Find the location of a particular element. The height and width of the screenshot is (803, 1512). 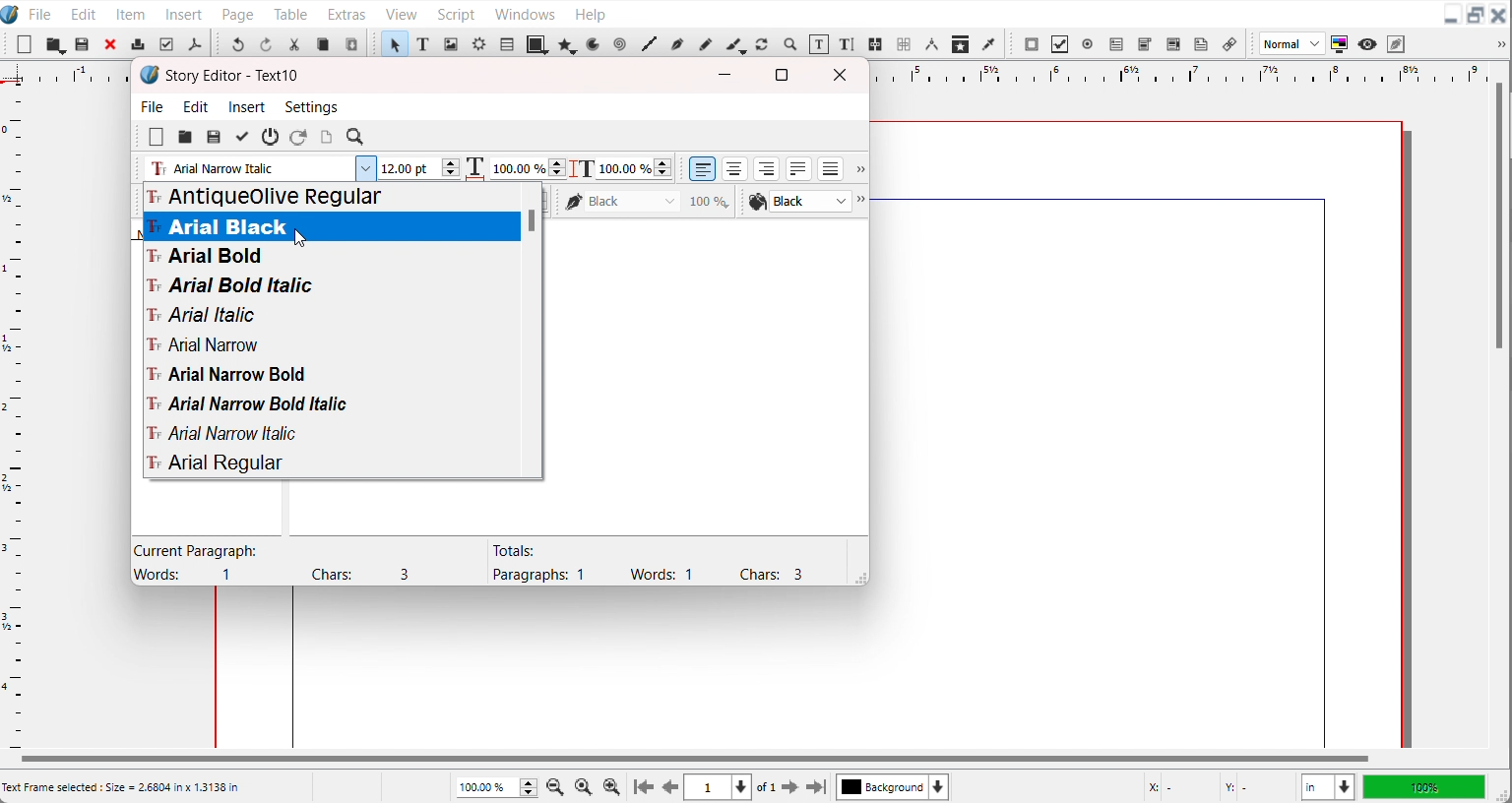

Software logo is located at coordinates (150, 75).